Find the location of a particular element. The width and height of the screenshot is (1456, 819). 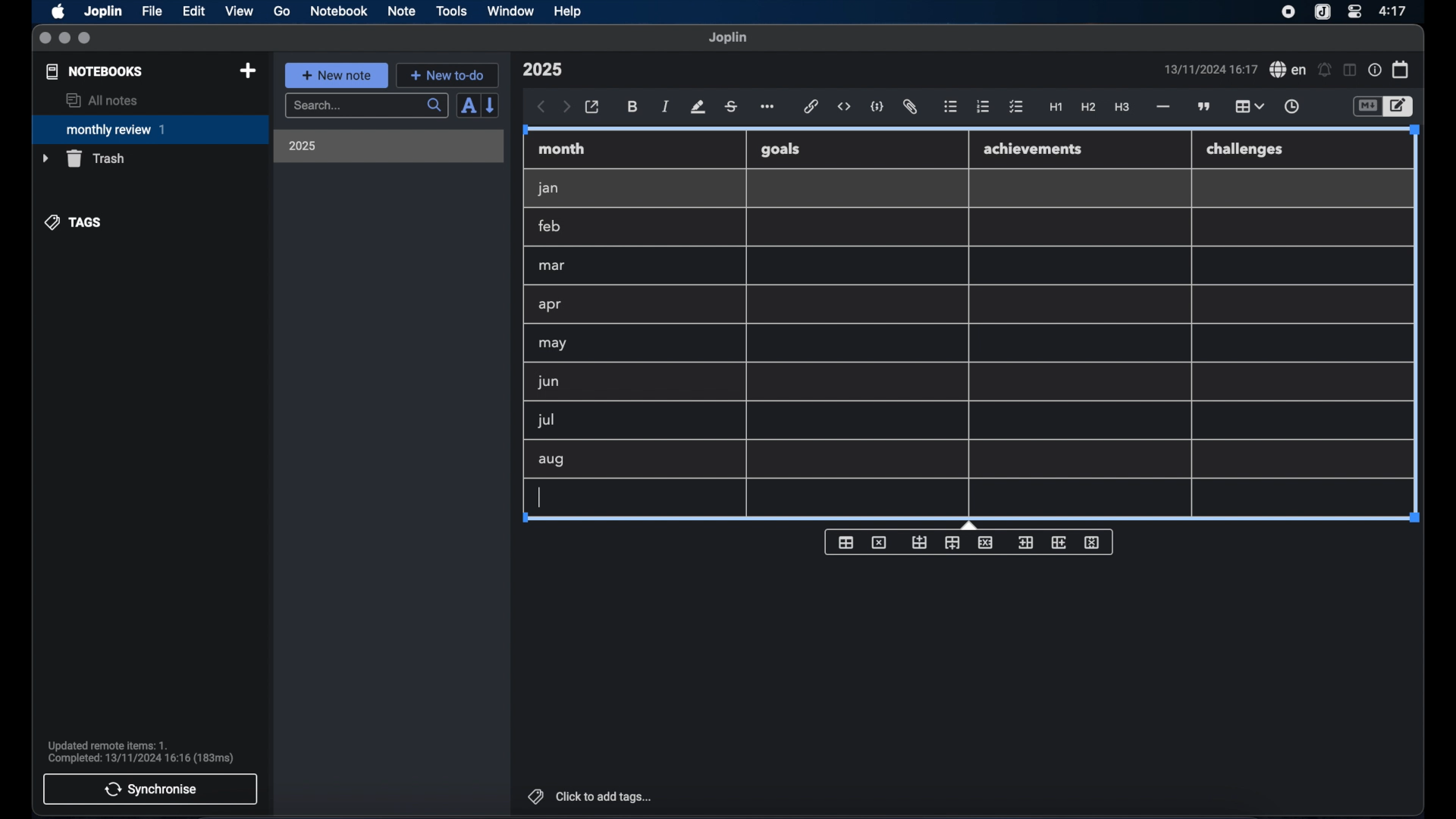

notebook is located at coordinates (339, 11).